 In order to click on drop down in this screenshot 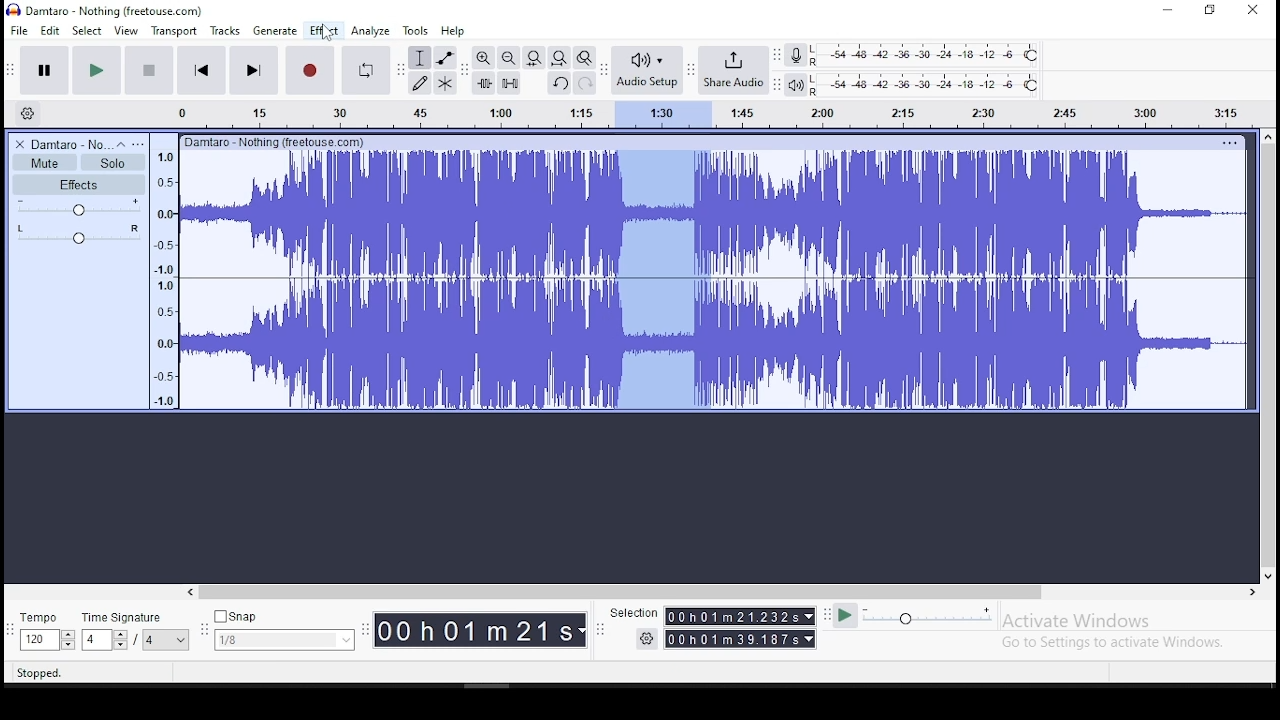, I will do `click(182, 640)`.